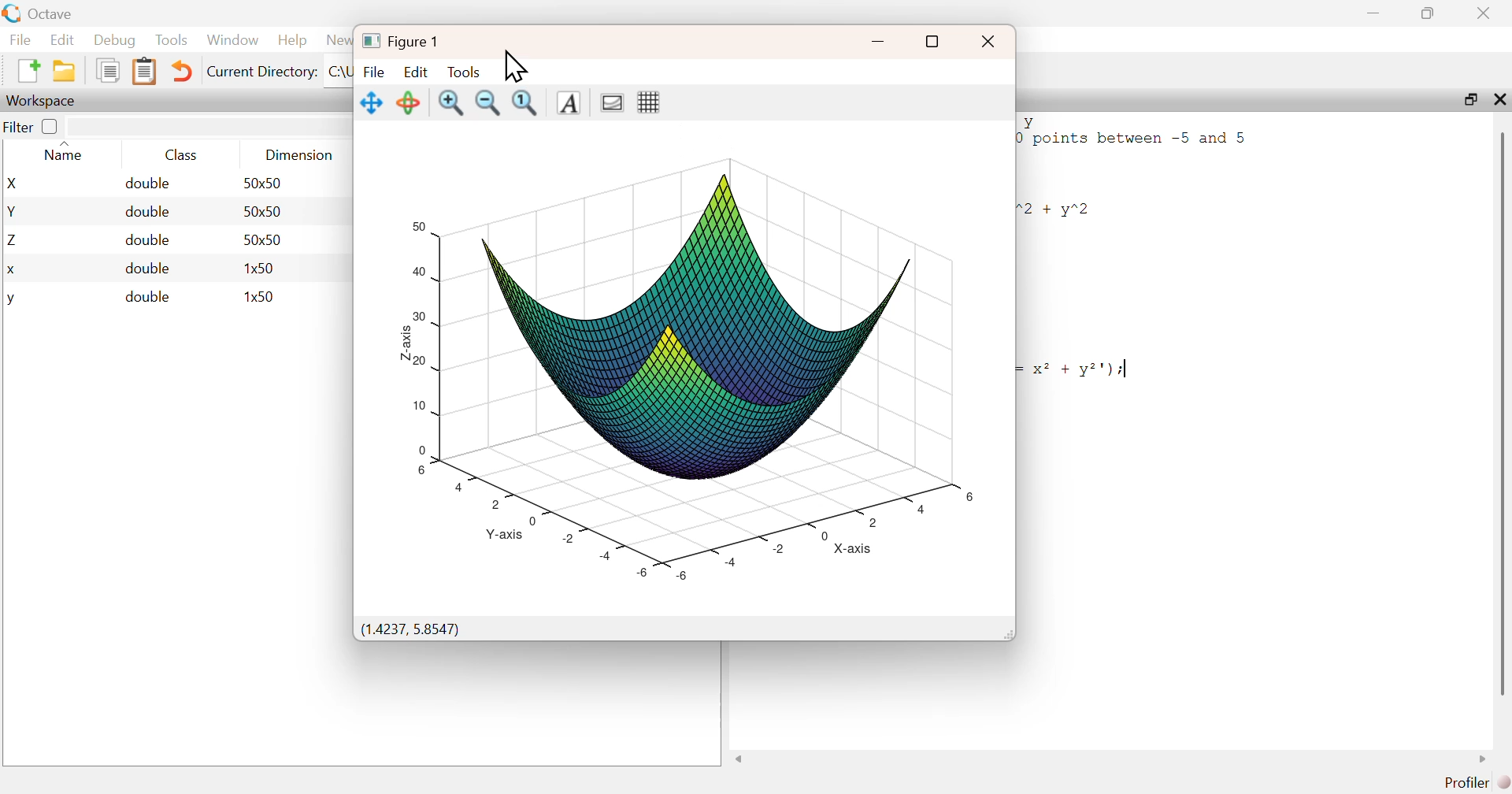  What do you see at coordinates (1477, 783) in the screenshot?
I see `Profiler` at bounding box center [1477, 783].